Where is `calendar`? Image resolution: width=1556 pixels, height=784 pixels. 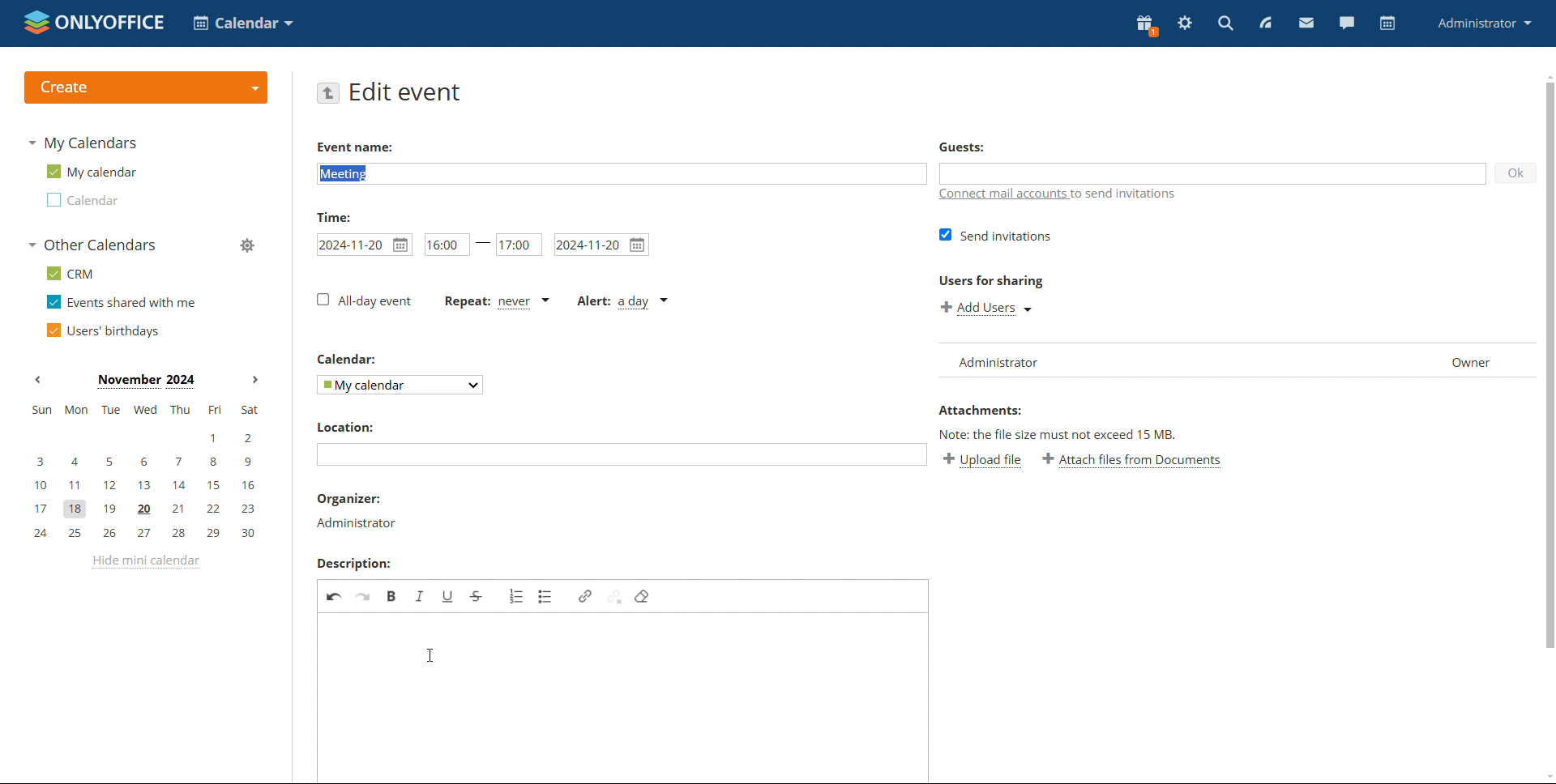
calendar is located at coordinates (82, 200).